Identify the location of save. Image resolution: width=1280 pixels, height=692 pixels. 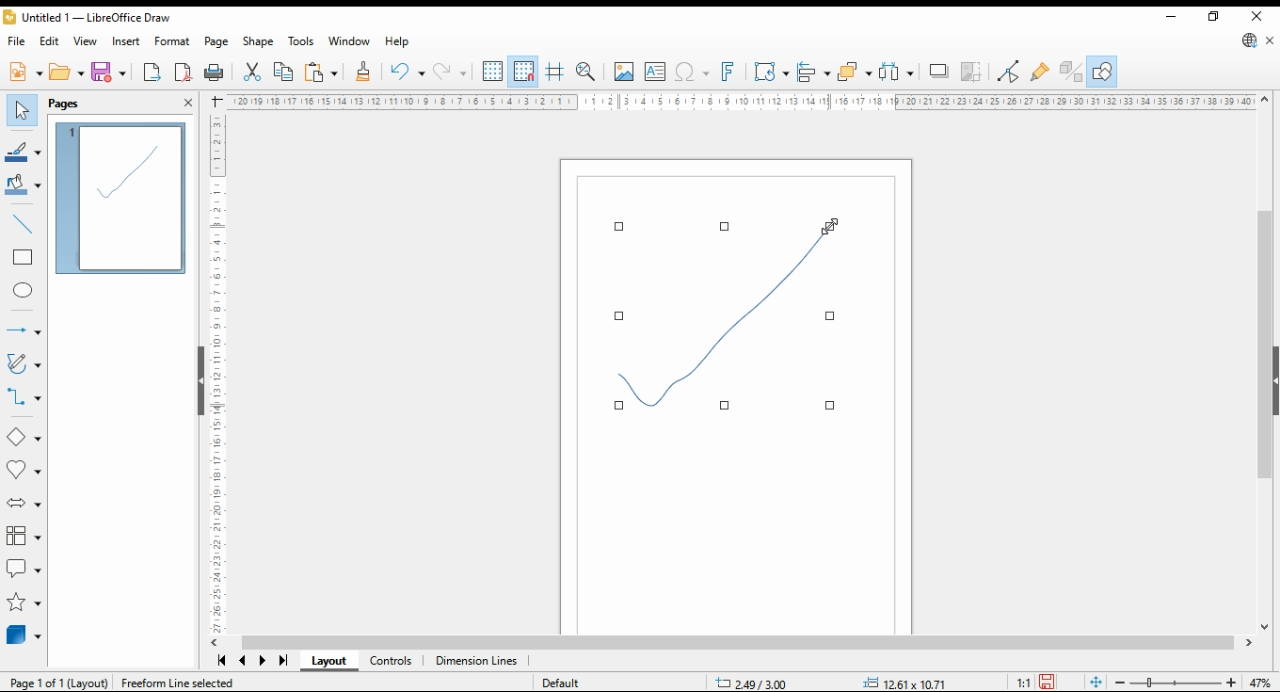
(1049, 683).